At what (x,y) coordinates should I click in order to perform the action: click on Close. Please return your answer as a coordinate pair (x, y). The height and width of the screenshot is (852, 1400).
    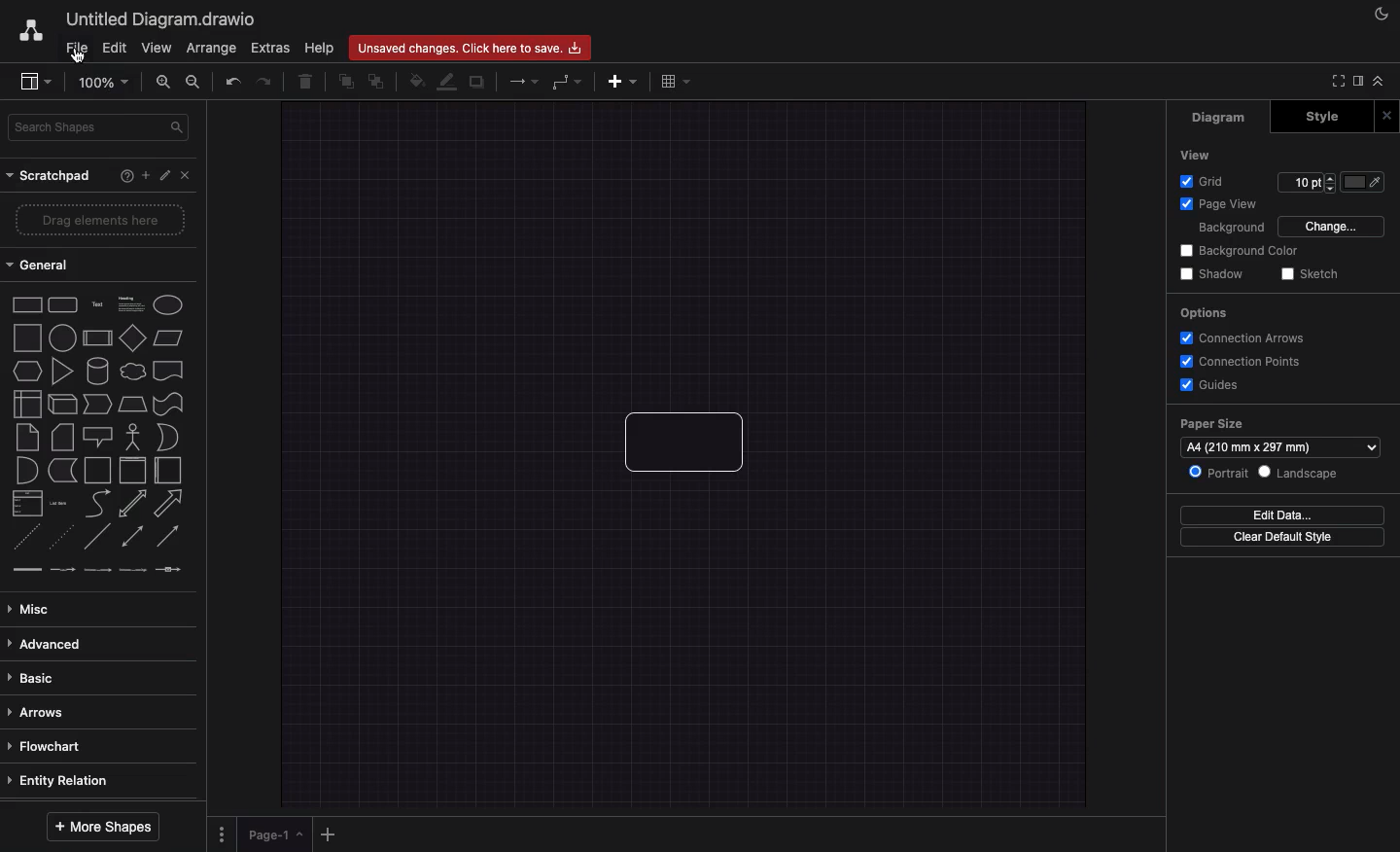
    Looking at the image, I should click on (187, 175).